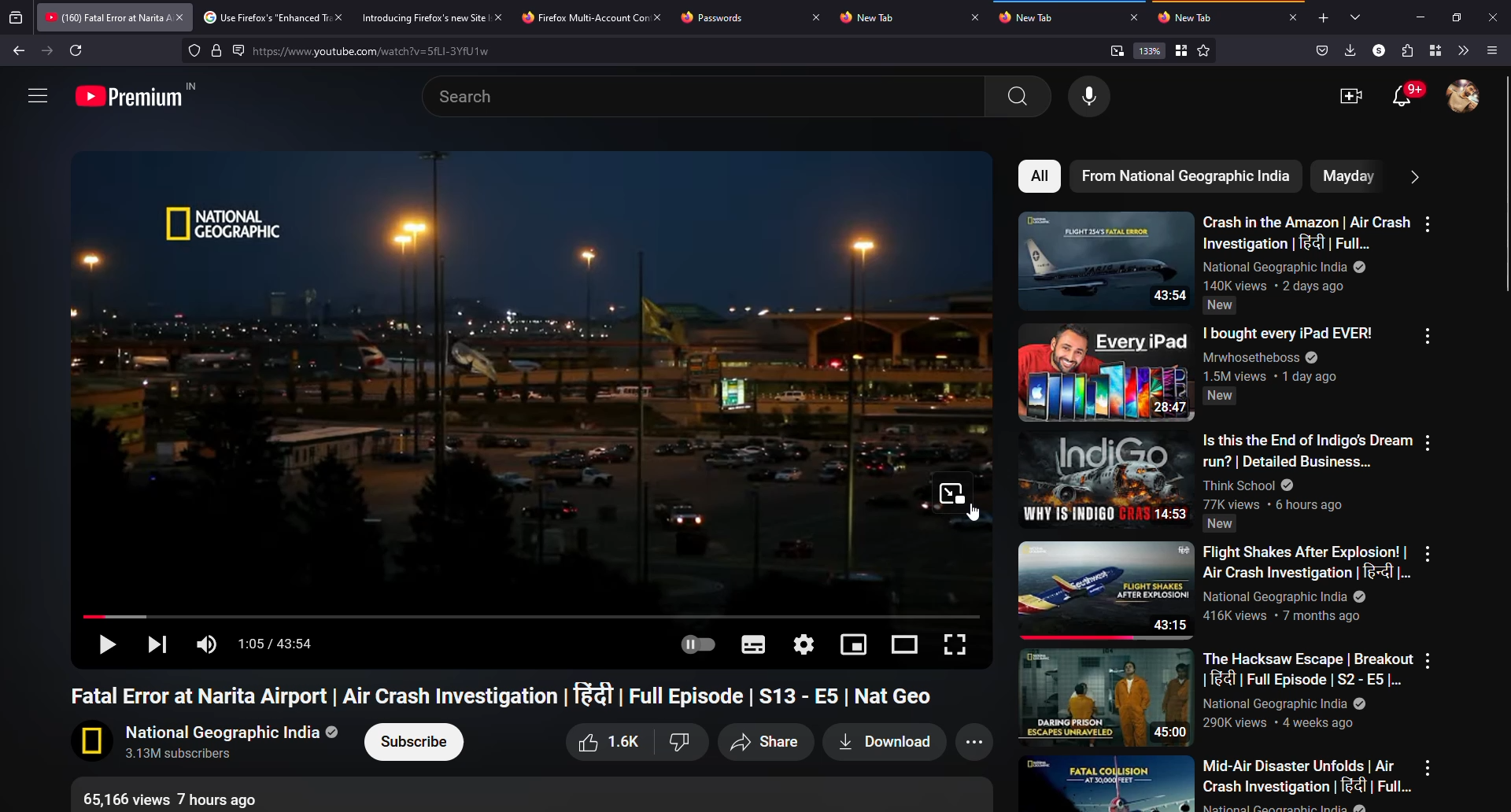 This screenshot has width=1511, height=812. What do you see at coordinates (1459, 18) in the screenshot?
I see `maximize` at bounding box center [1459, 18].